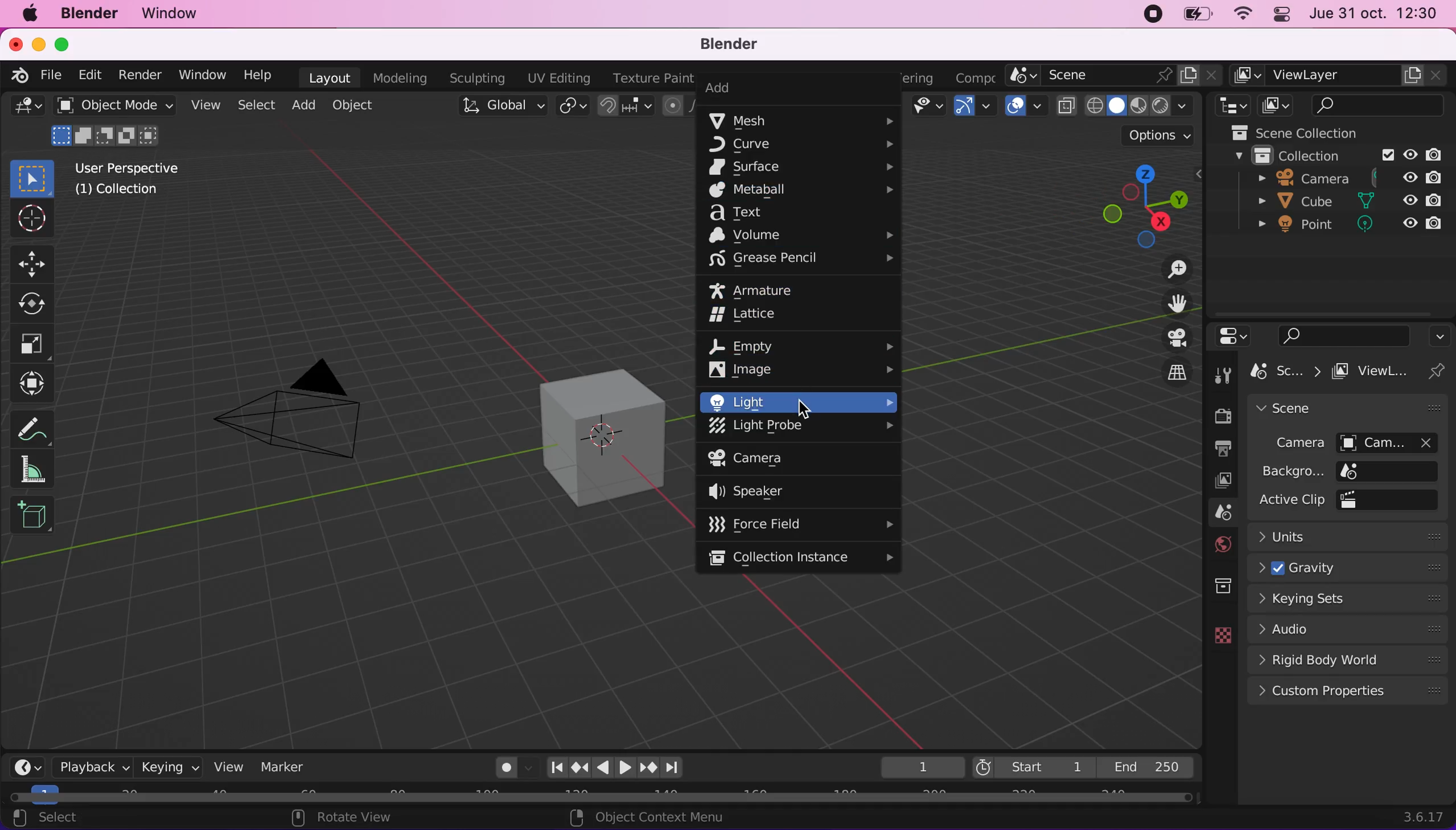 This screenshot has width=1456, height=830. What do you see at coordinates (1340, 409) in the screenshot?
I see `scene` at bounding box center [1340, 409].